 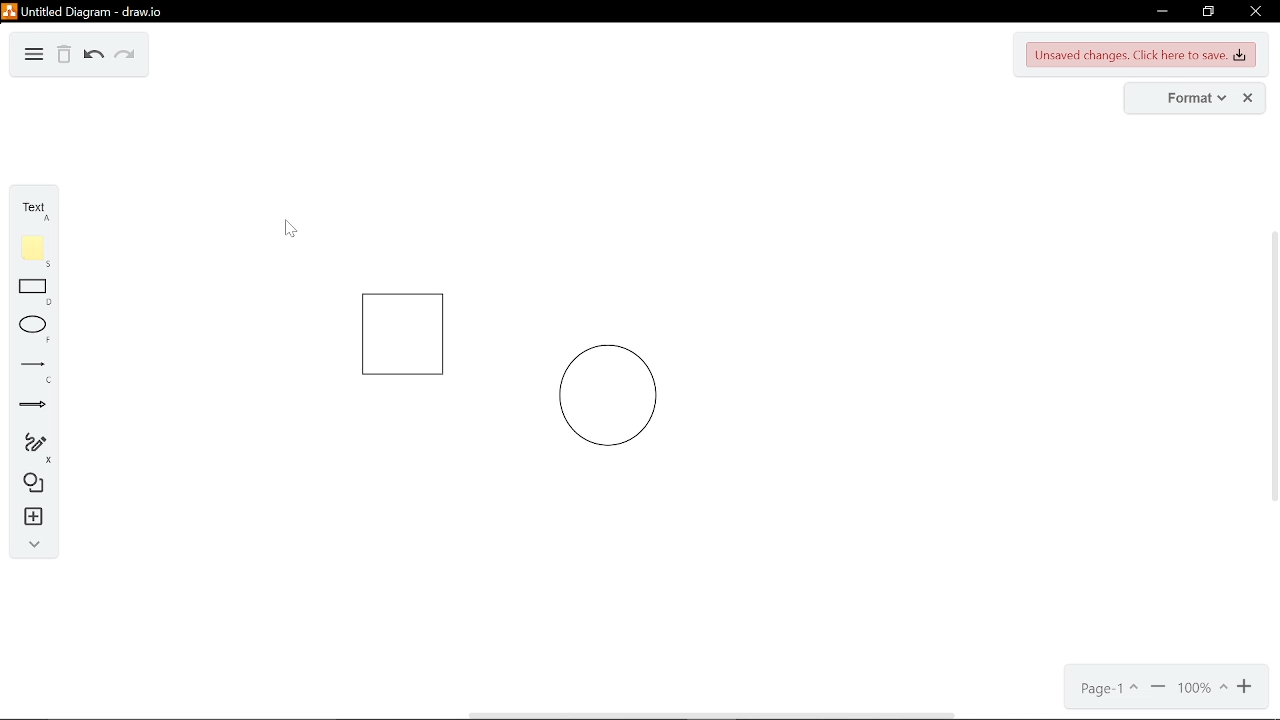 I want to click on close, so click(x=1257, y=13).